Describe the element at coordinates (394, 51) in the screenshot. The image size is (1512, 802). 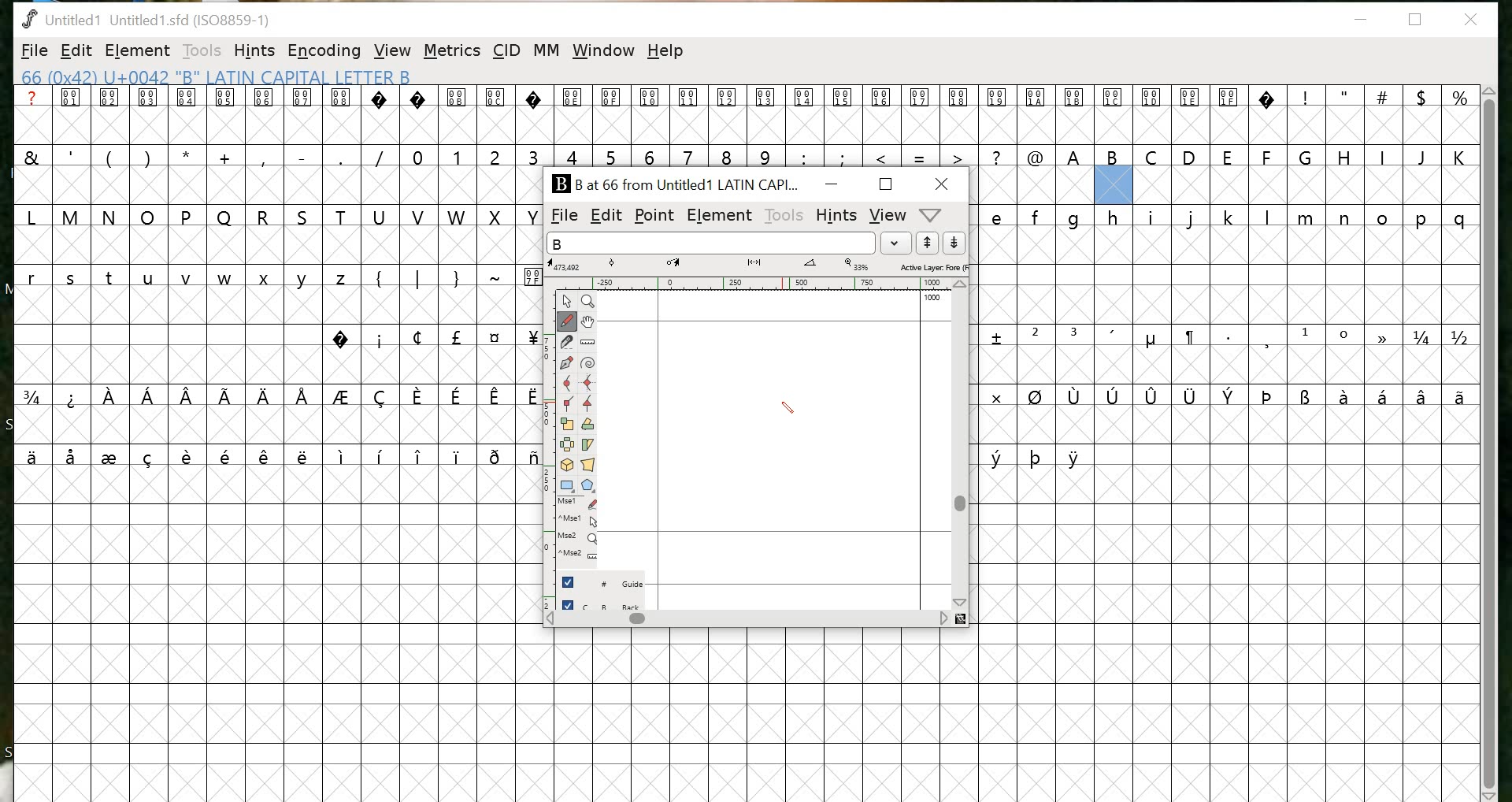
I see `VIEW` at that location.